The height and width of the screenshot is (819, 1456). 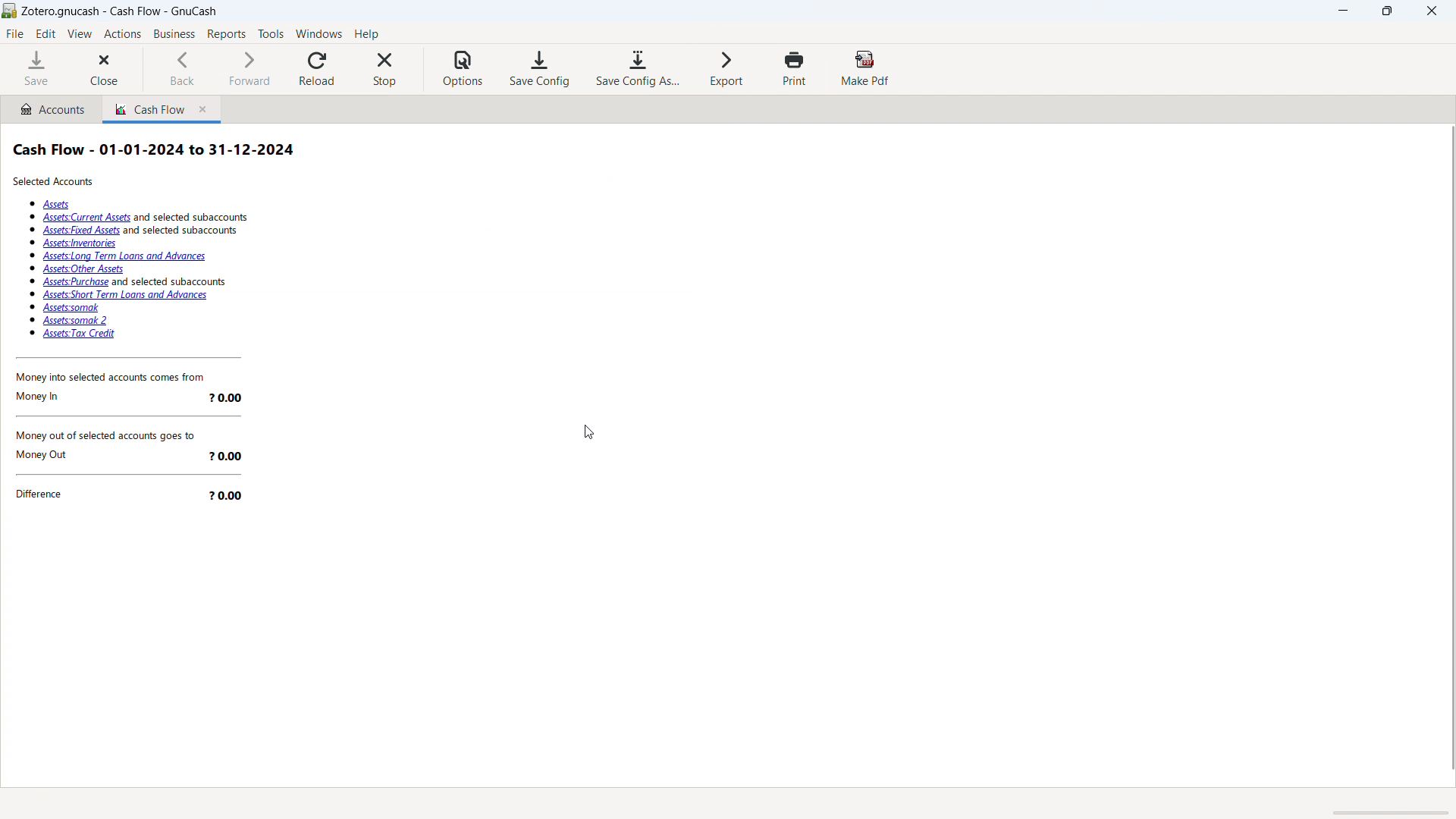 I want to click on Assets: short term loans and advances, so click(x=126, y=295).